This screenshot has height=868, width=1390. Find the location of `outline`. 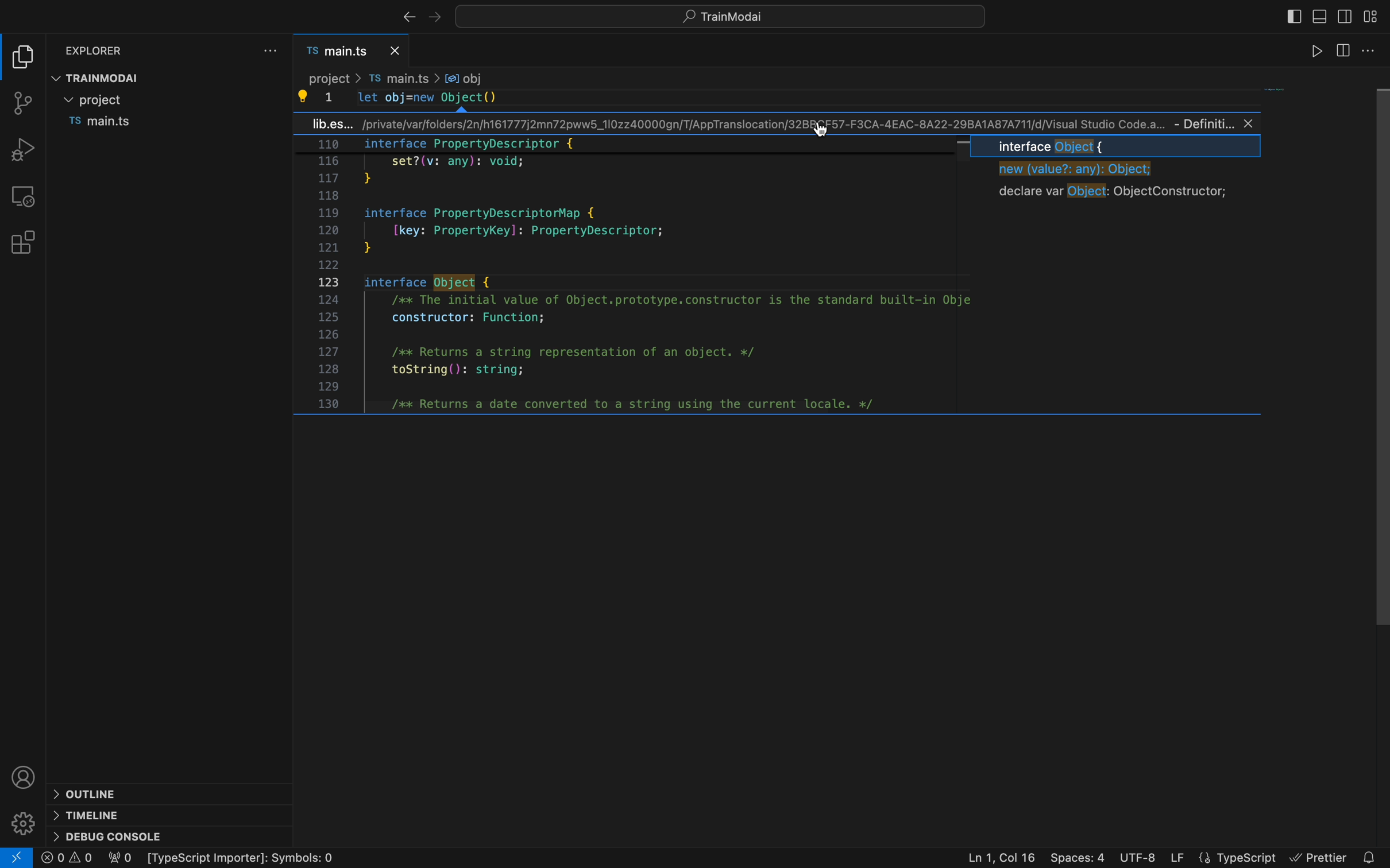

outline is located at coordinates (90, 795).